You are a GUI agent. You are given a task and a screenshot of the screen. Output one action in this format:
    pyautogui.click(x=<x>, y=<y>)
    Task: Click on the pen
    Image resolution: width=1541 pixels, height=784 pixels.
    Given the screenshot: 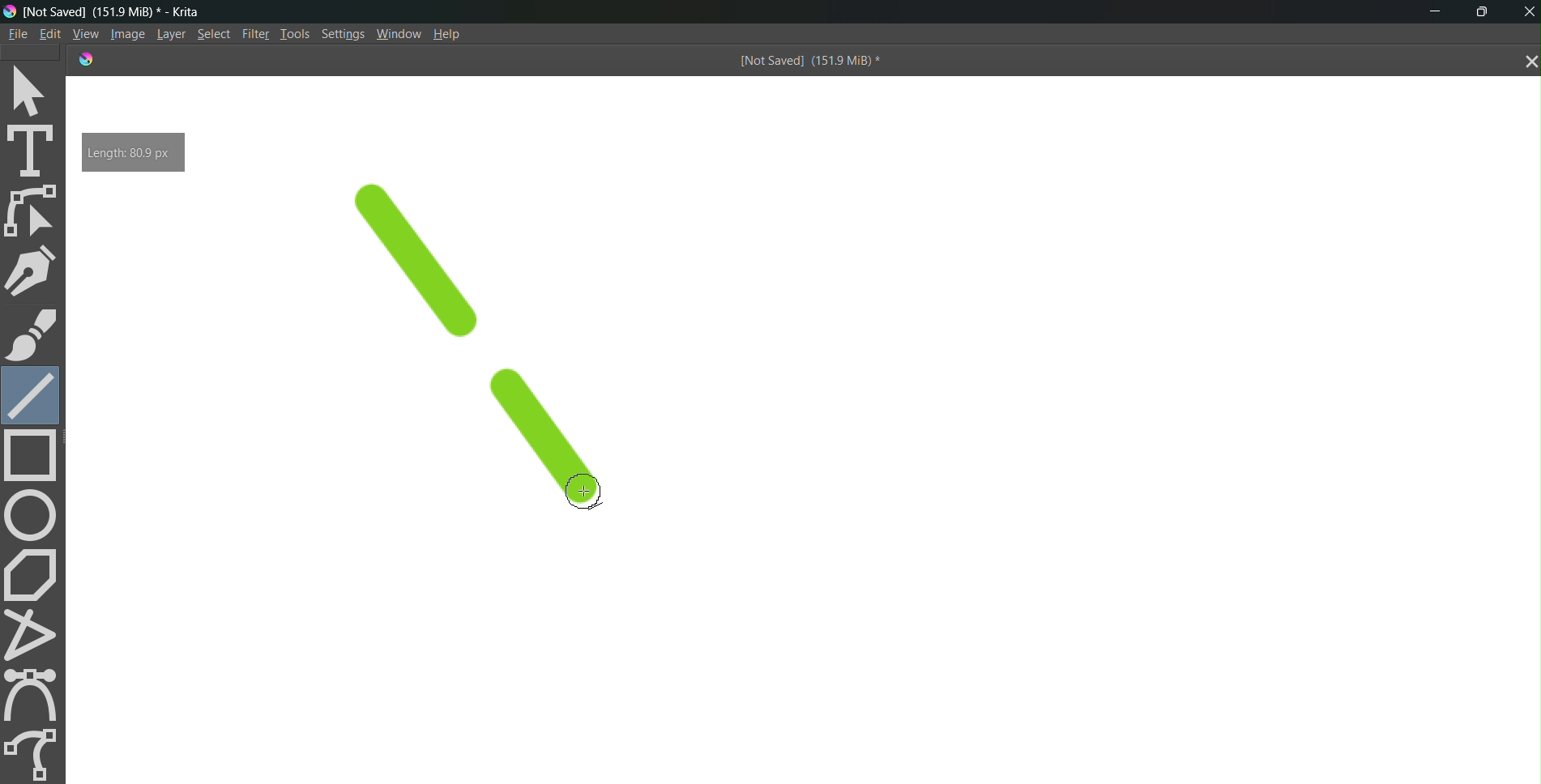 What is the action you would take?
    pyautogui.click(x=35, y=271)
    